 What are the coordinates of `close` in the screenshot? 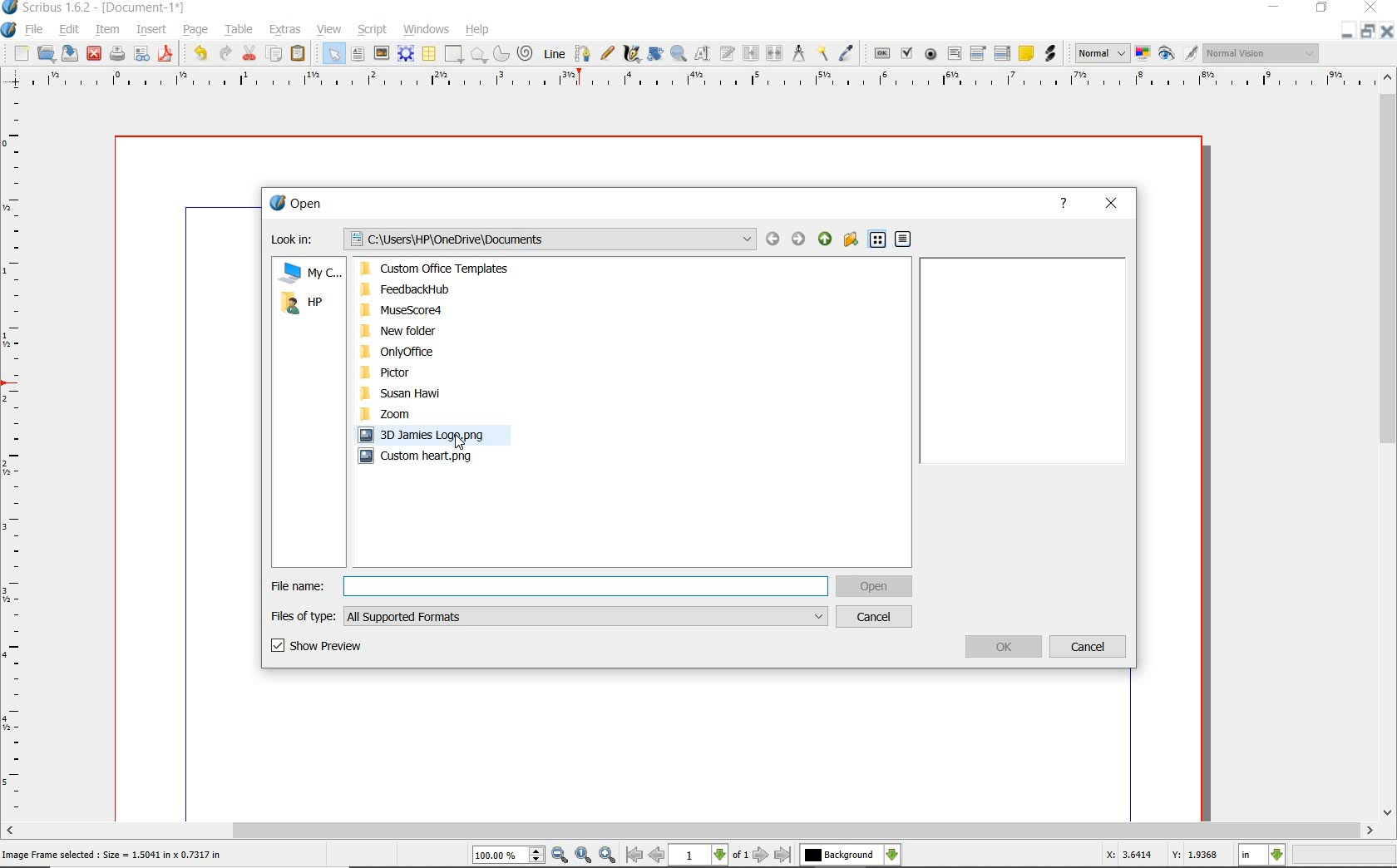 It's located at (93, 52).